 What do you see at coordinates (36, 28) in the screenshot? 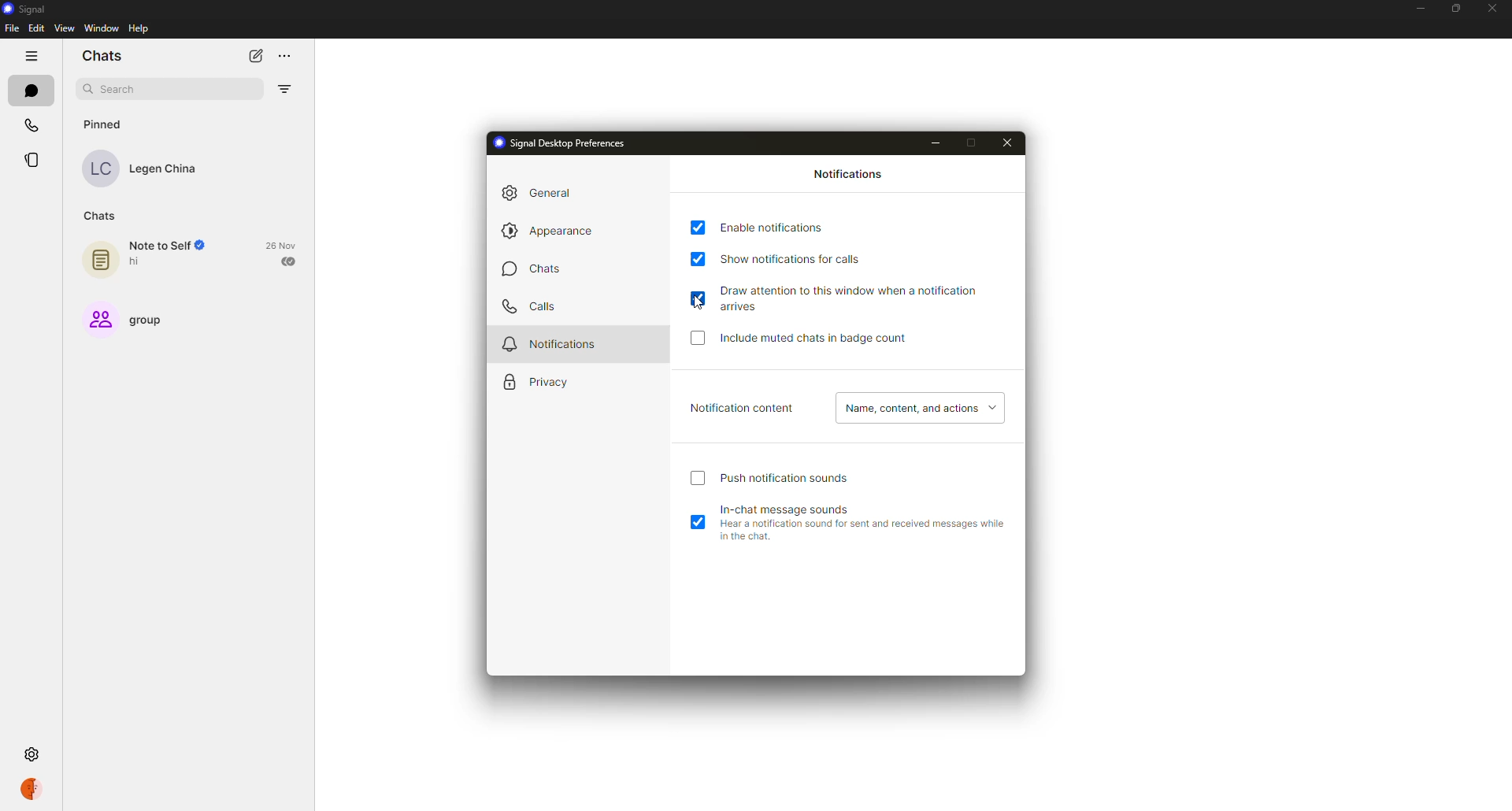
I see `edit` at bounding box center [36, 28].